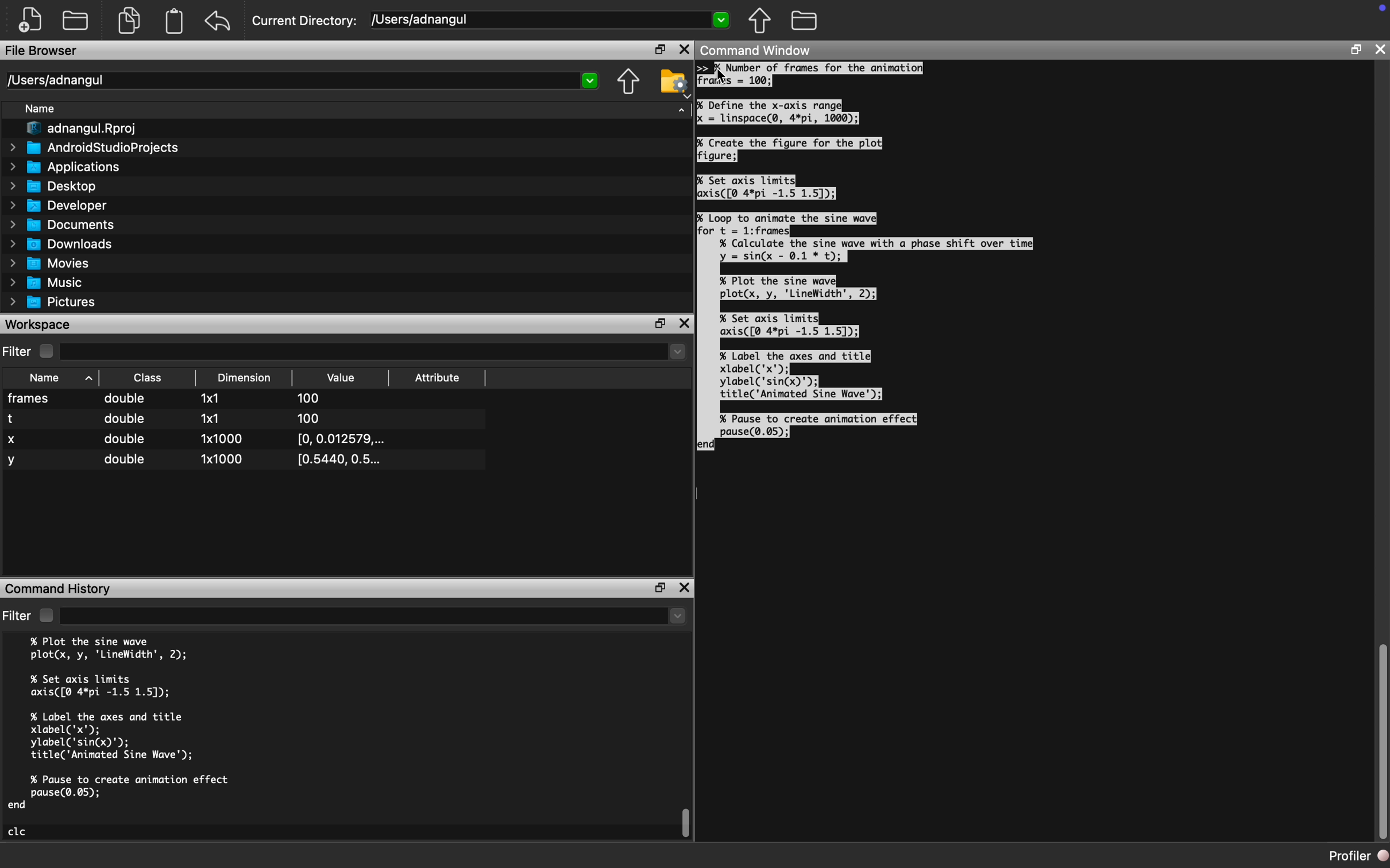 The height and width of the screenshot is (868, 1390). I want to click on Restore Down, so click(1354, 51).